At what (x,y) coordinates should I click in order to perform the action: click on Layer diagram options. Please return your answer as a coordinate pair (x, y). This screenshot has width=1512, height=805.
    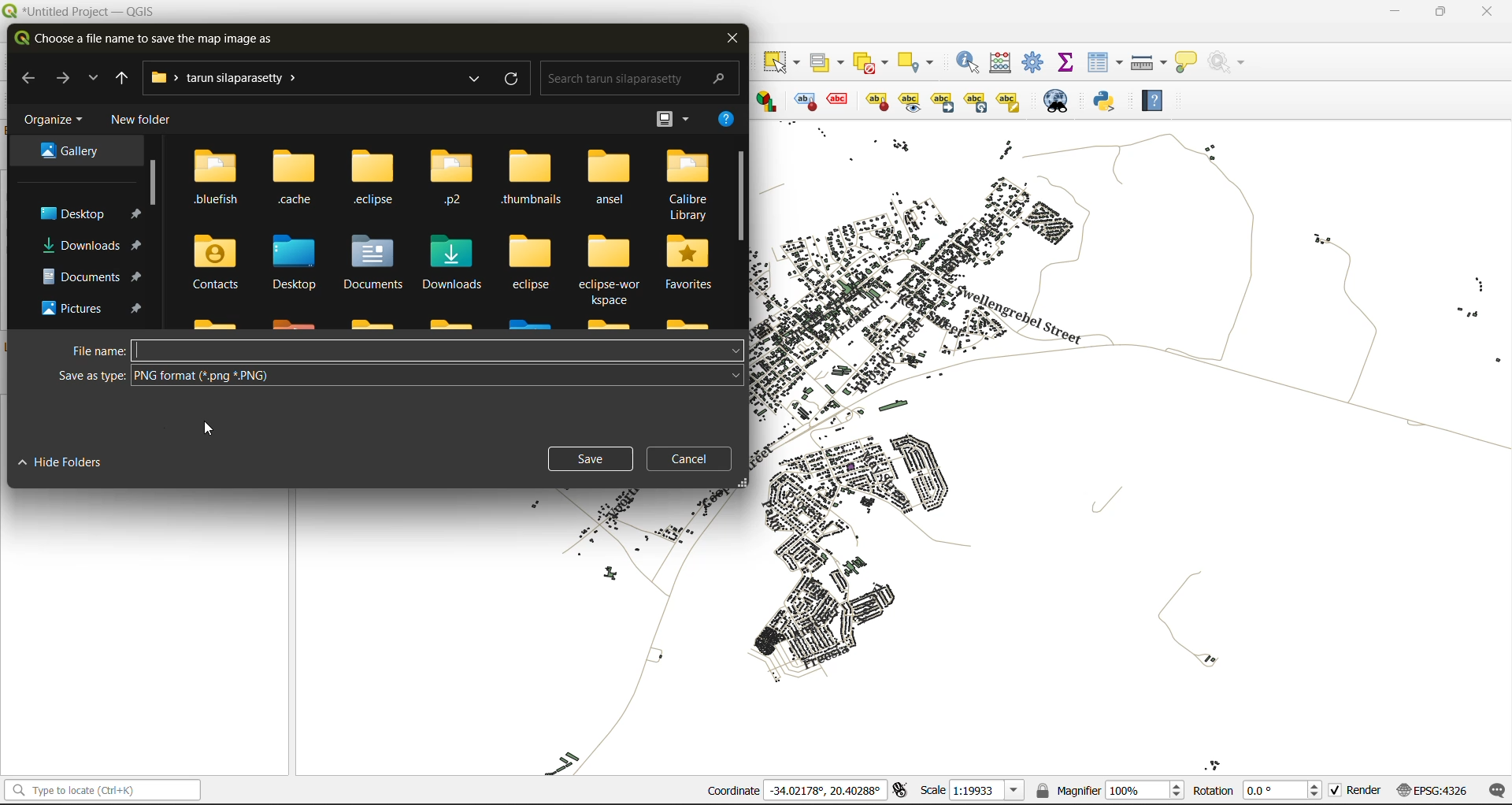
    Looking at the image, I should click on (768, 101).